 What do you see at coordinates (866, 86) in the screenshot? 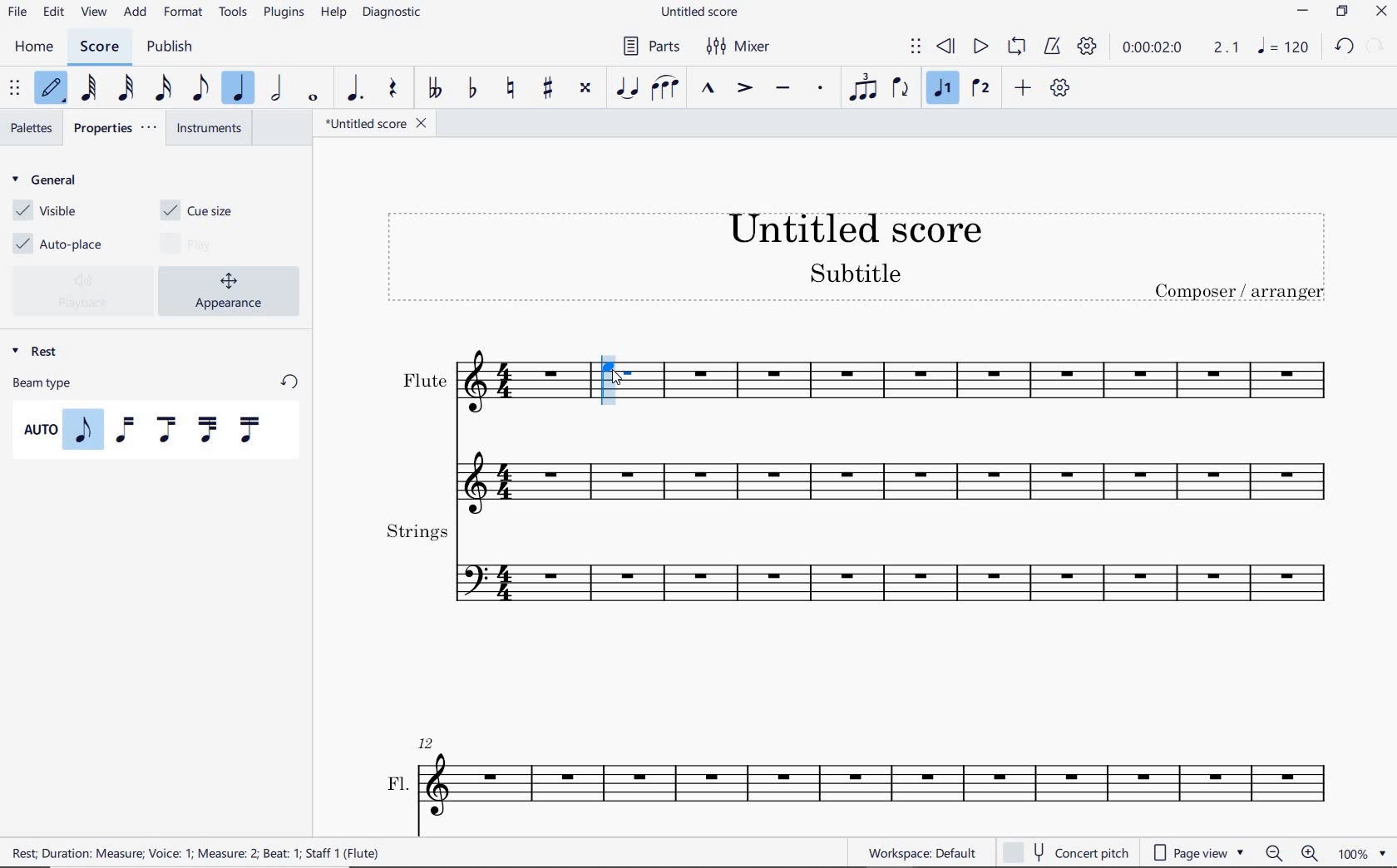
I see `TUPLET` at bounding box center [866, 86].